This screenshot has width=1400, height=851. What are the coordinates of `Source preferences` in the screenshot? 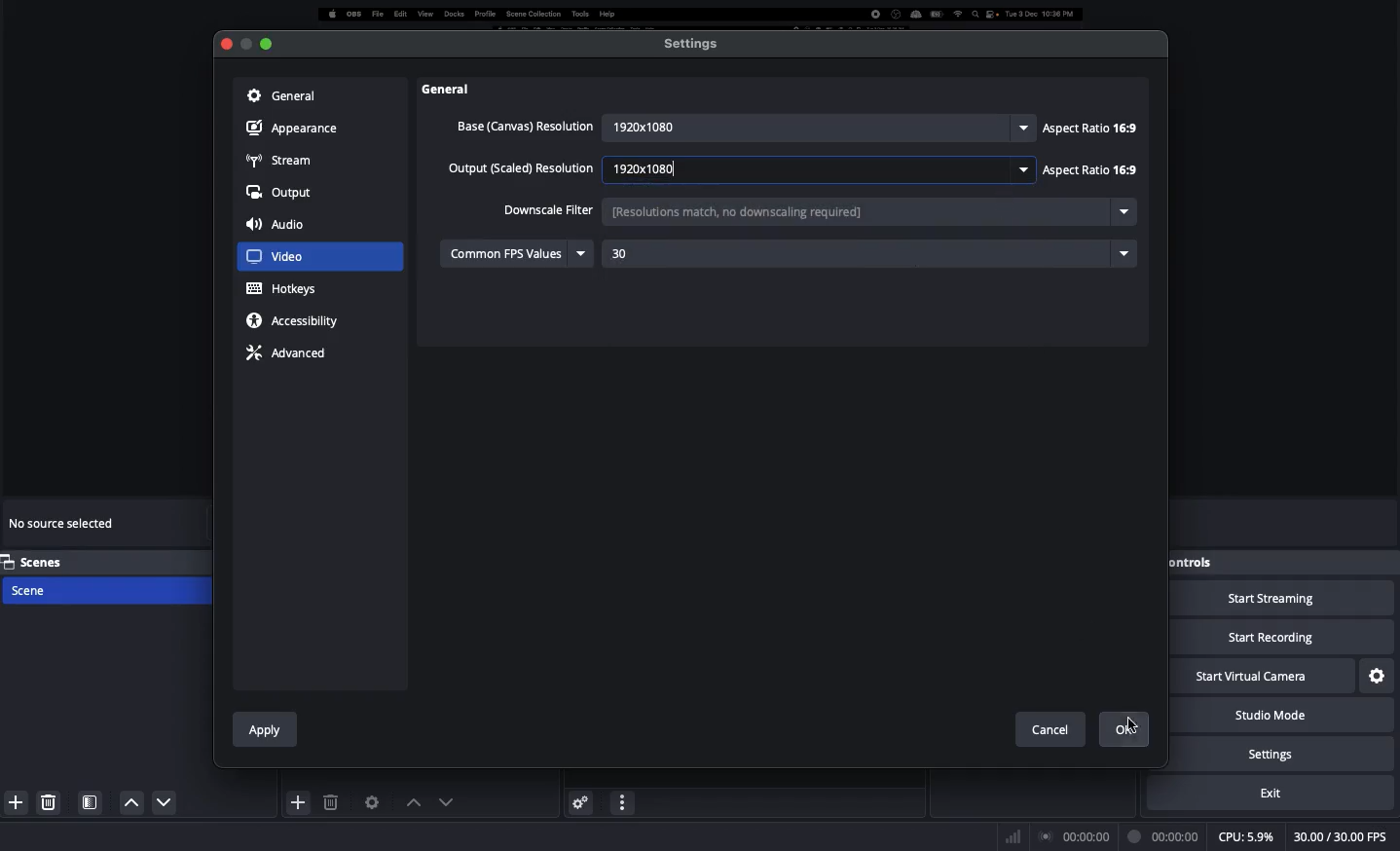 It's located at (370, 802).